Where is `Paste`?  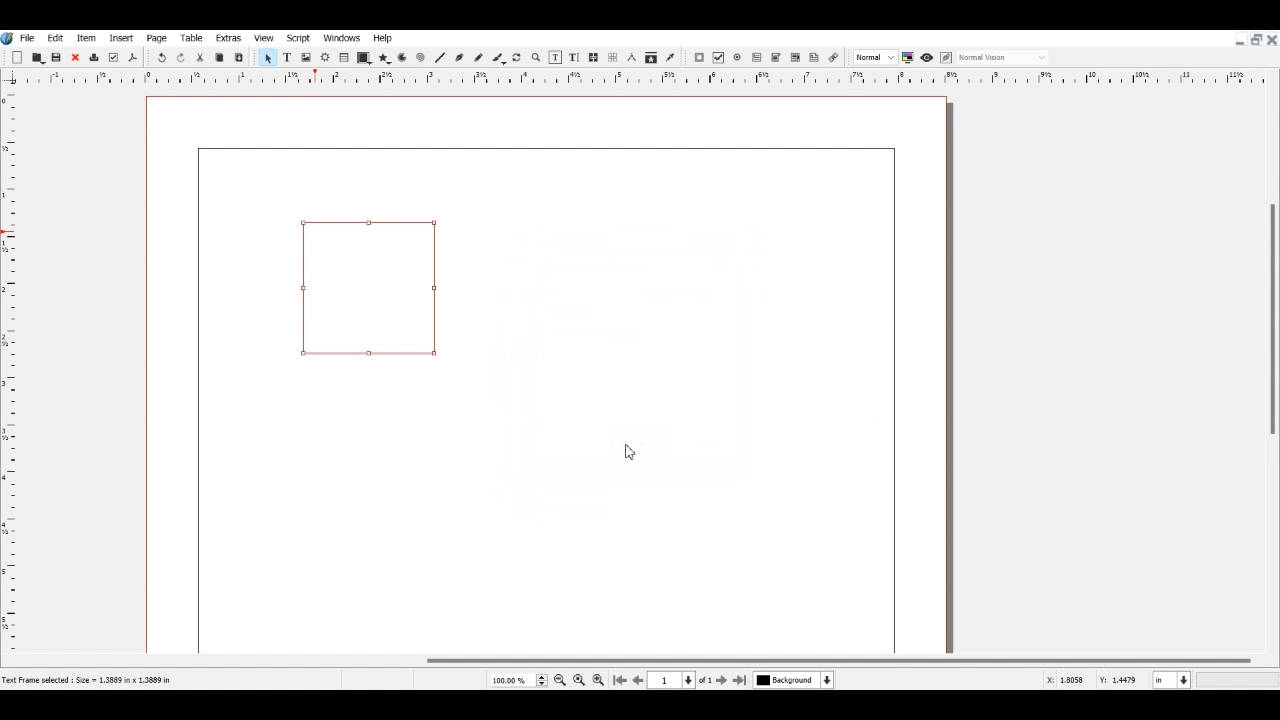
Paste is located at coordinates (239, 57).